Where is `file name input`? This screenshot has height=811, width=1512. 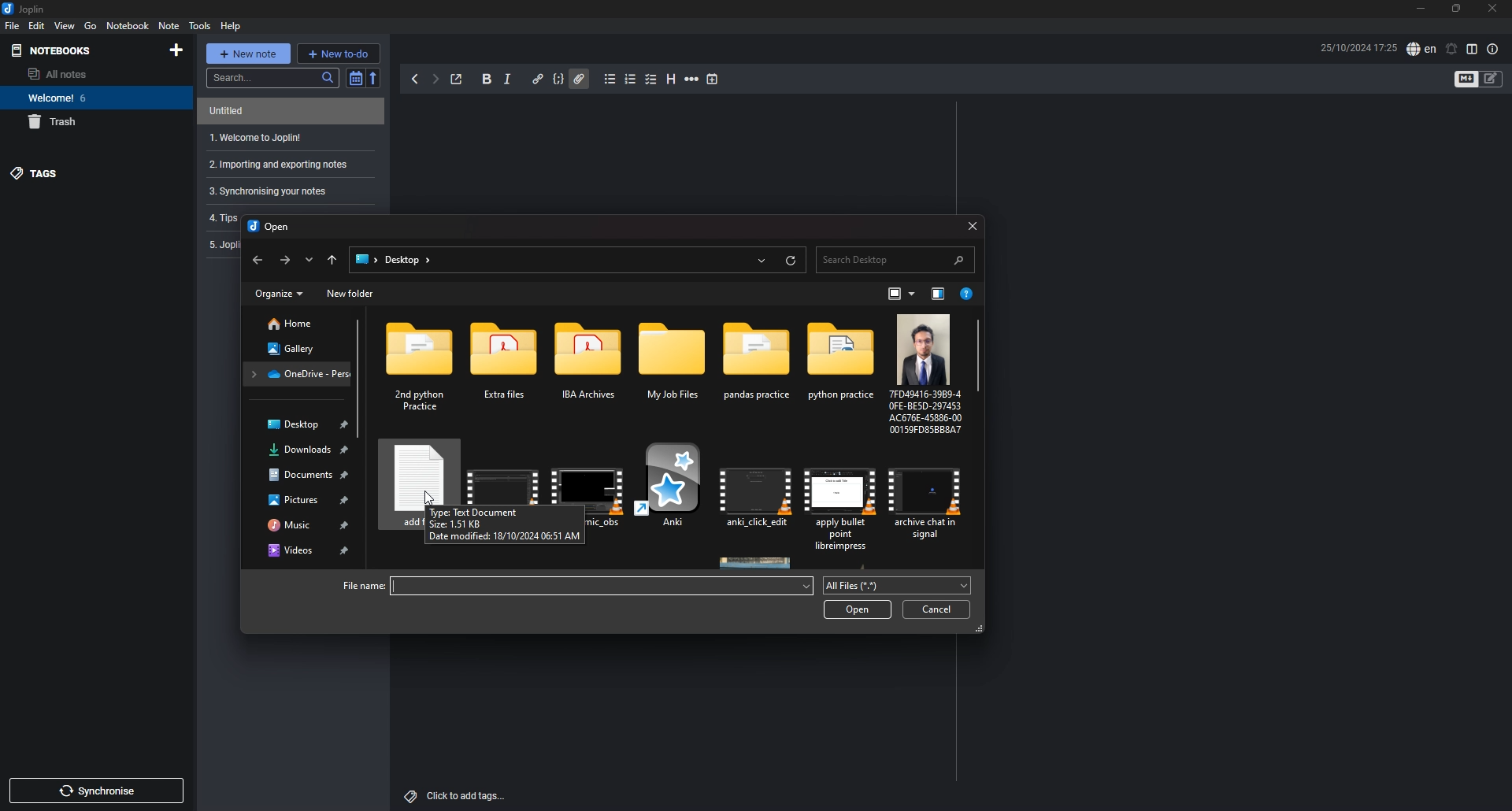
file name input is located at coordinates (602, 586).